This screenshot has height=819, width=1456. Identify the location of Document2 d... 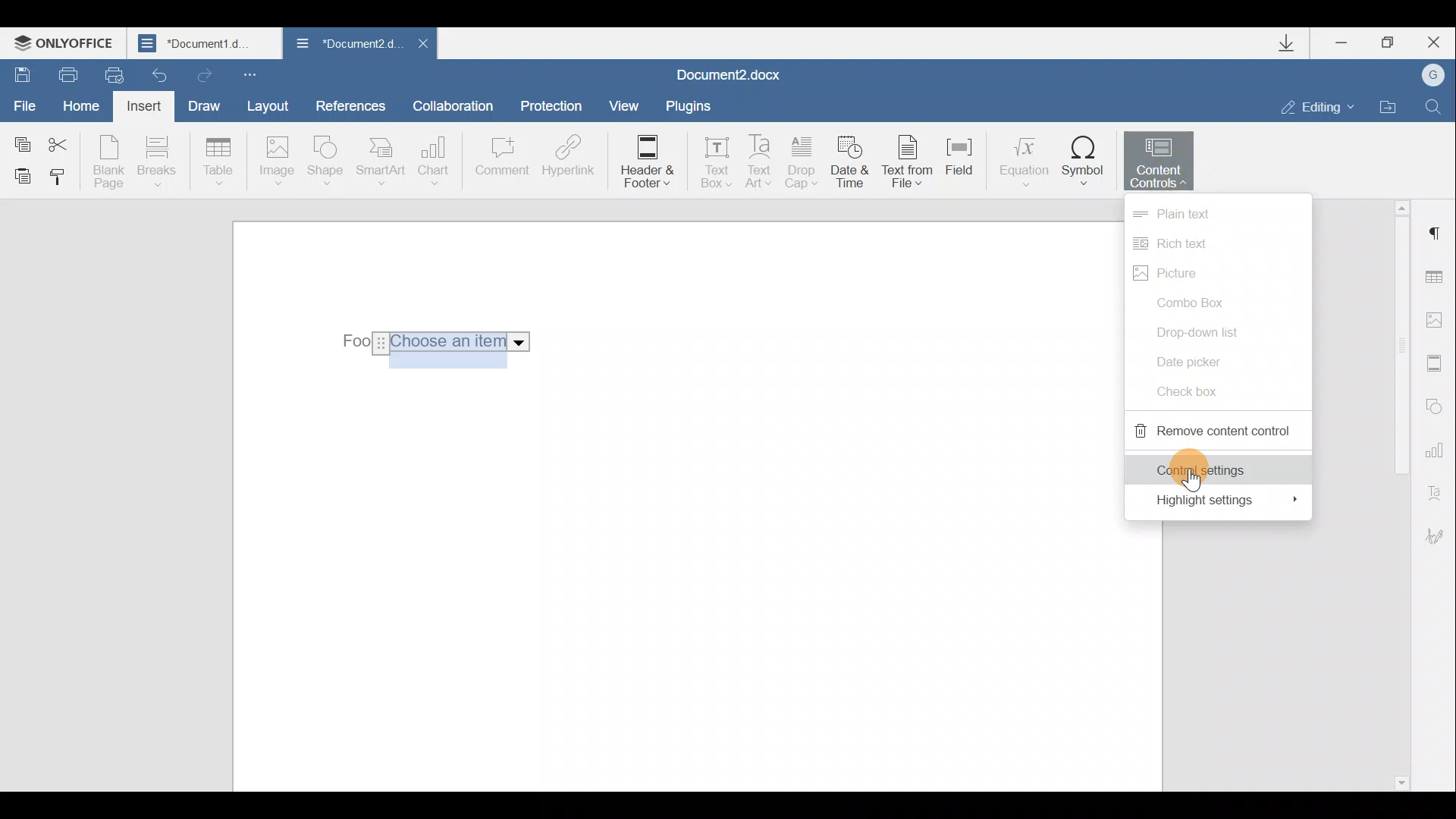
(347, 46).